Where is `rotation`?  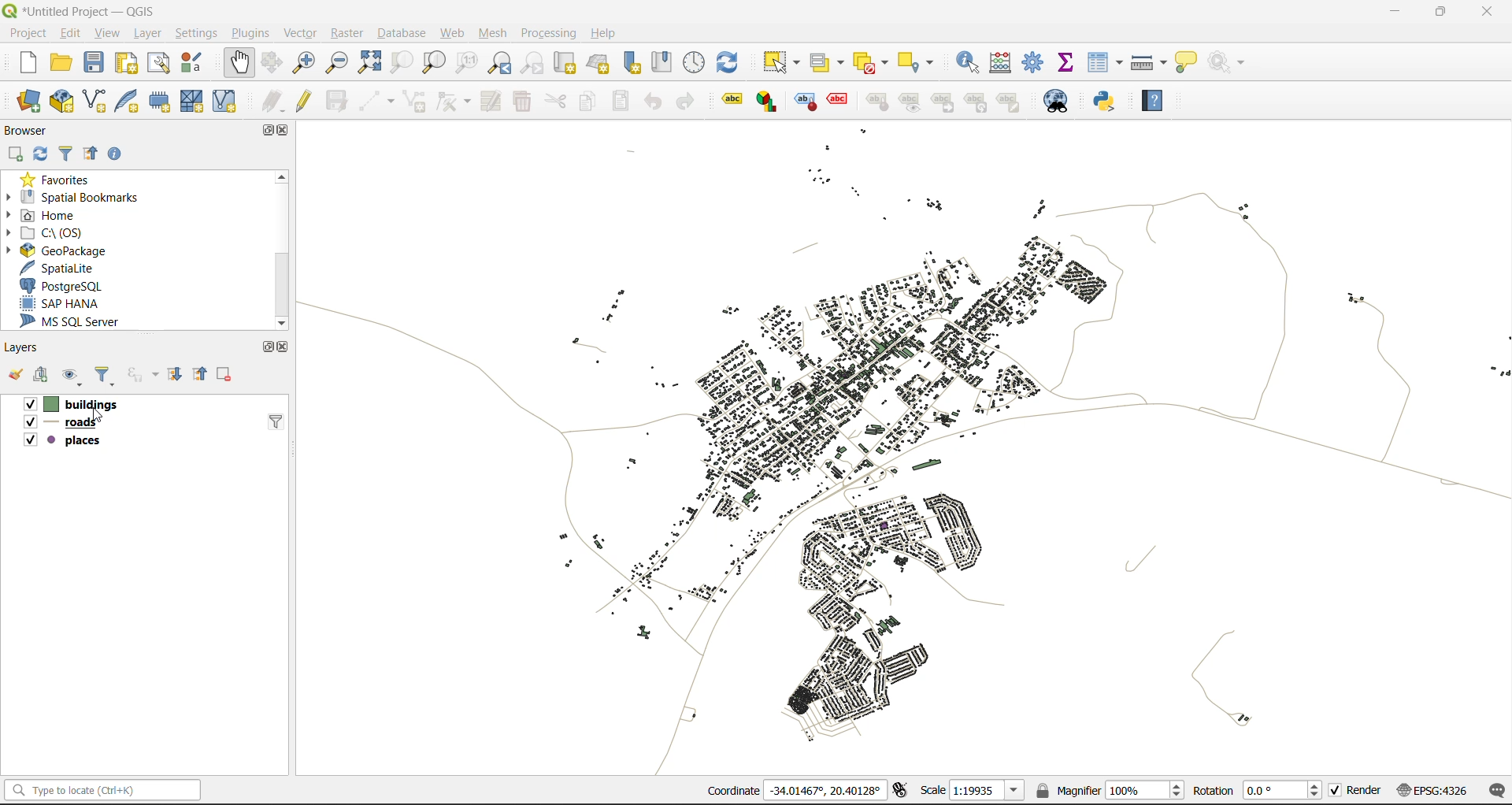 rotation is located at coordinates (1258, 791).